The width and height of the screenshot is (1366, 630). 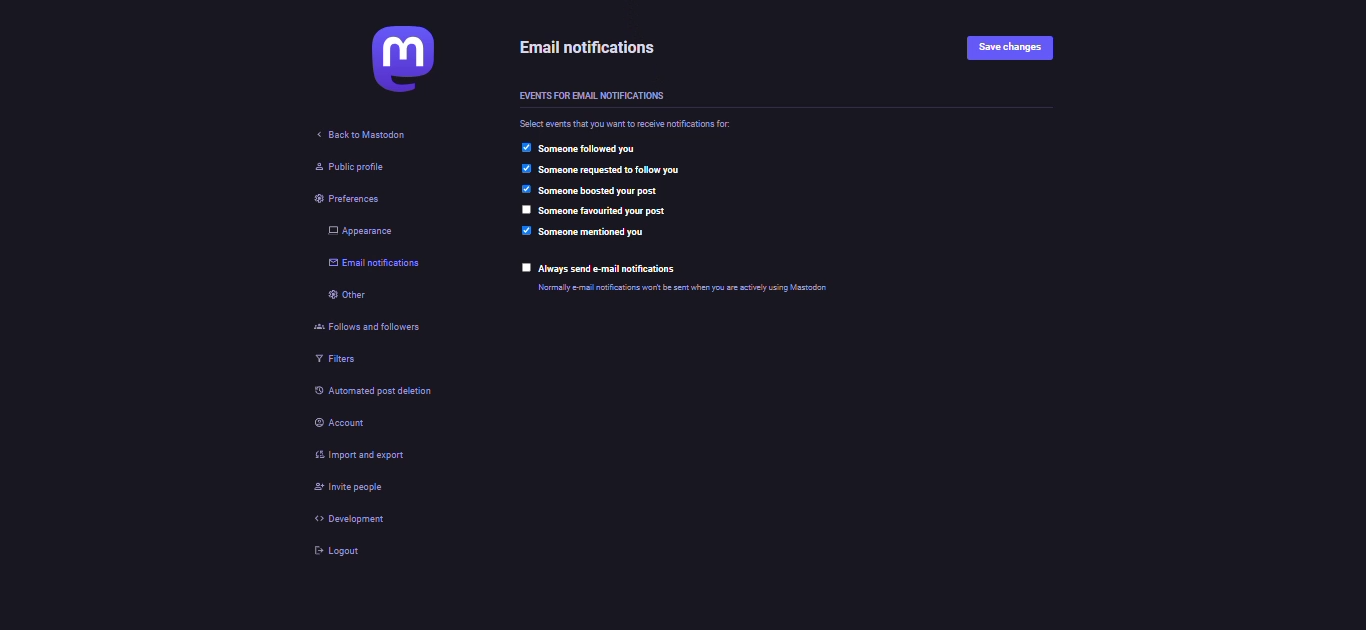 I want to click on account, so click(x=336, y=423).